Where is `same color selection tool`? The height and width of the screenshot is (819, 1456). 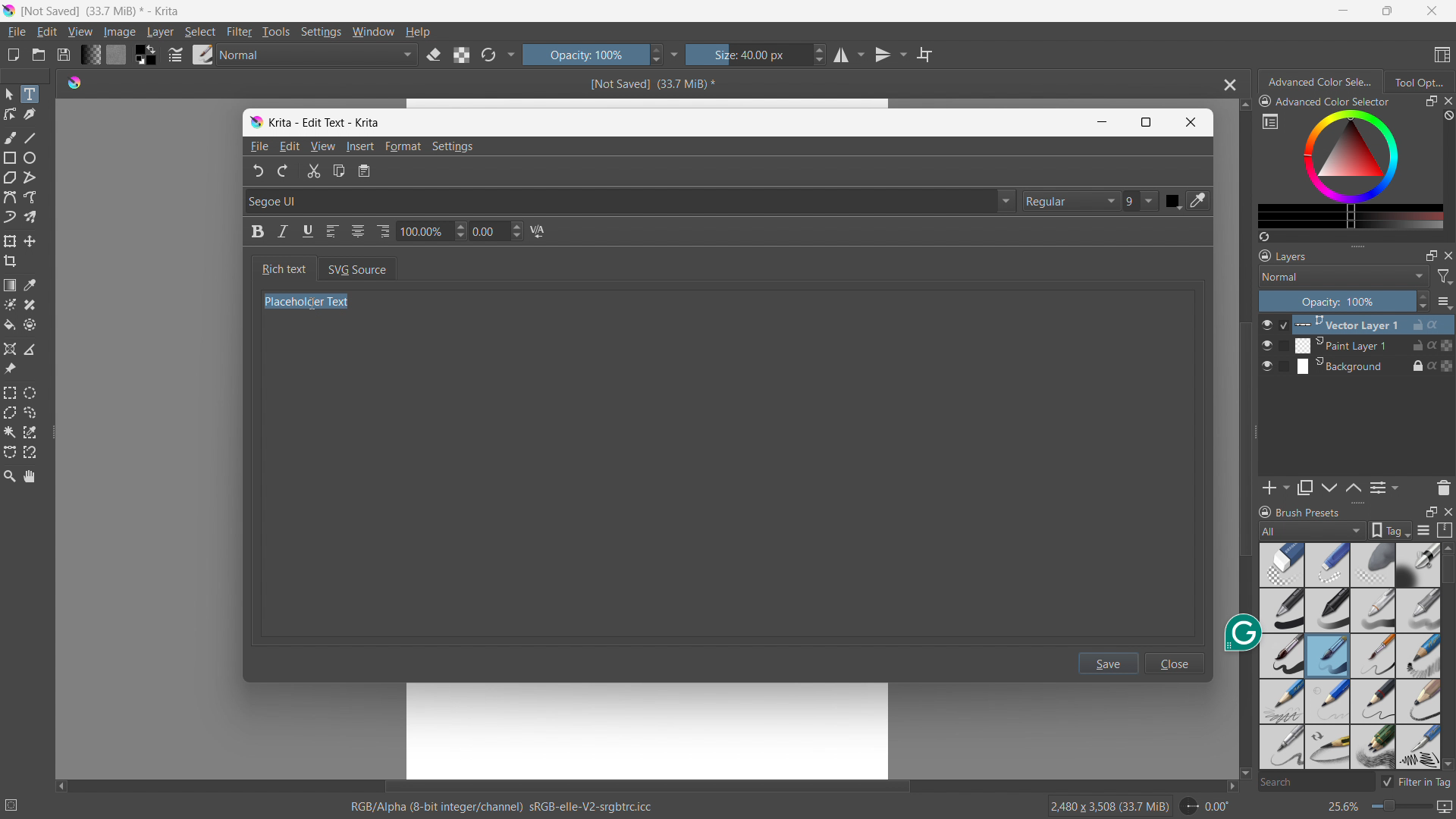 same color selection tool is located at coordinates (30, 432).